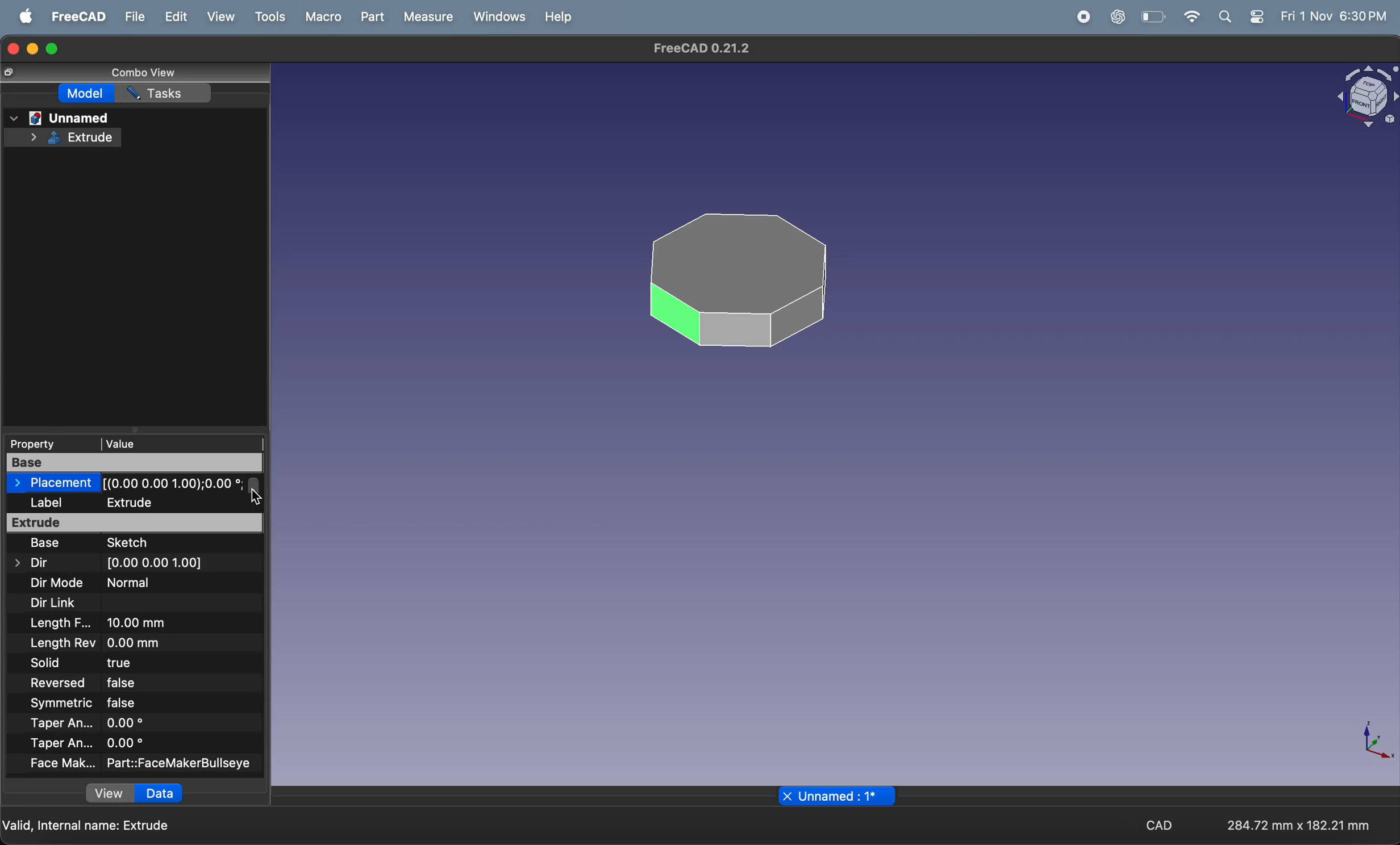  What do you see at coordinates (1336, 16) in the screenshot?
I see `Fri 1 Nov 6:30PM` at bounding box center [1336, 16].